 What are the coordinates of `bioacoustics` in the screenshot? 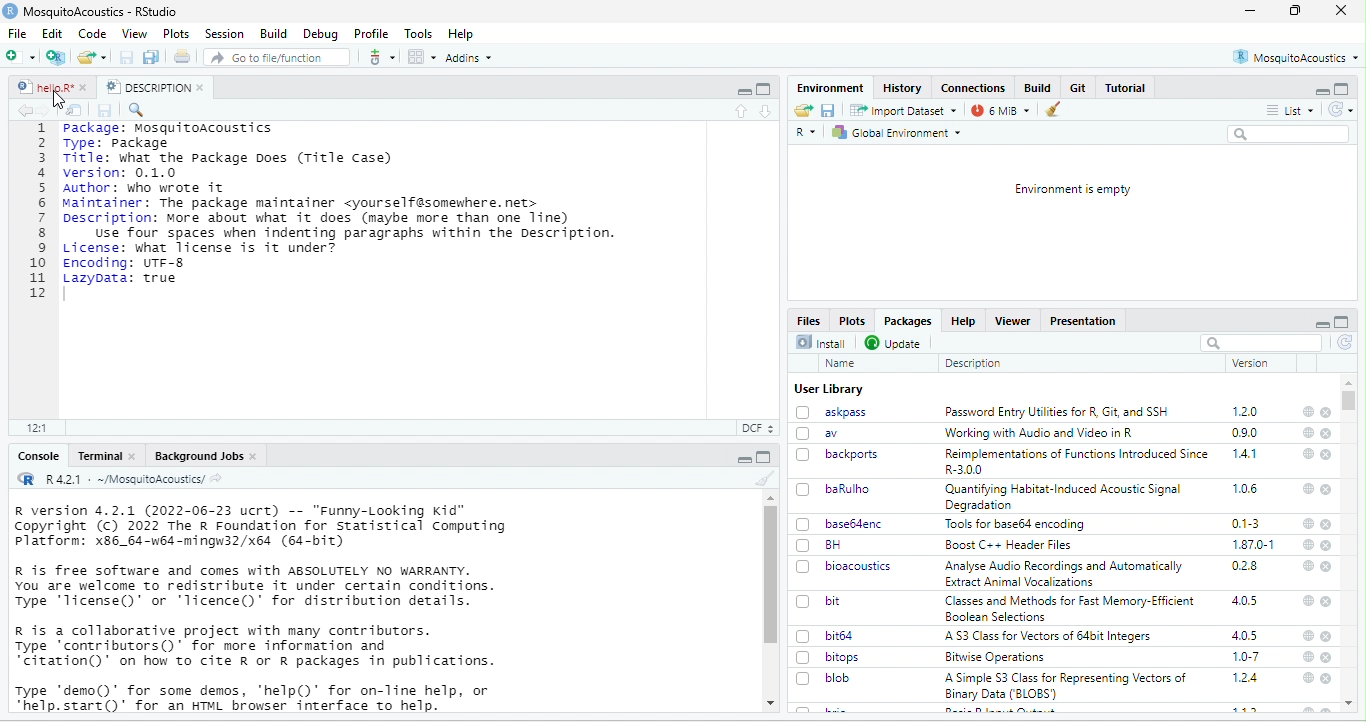 It's located at (845, 567).